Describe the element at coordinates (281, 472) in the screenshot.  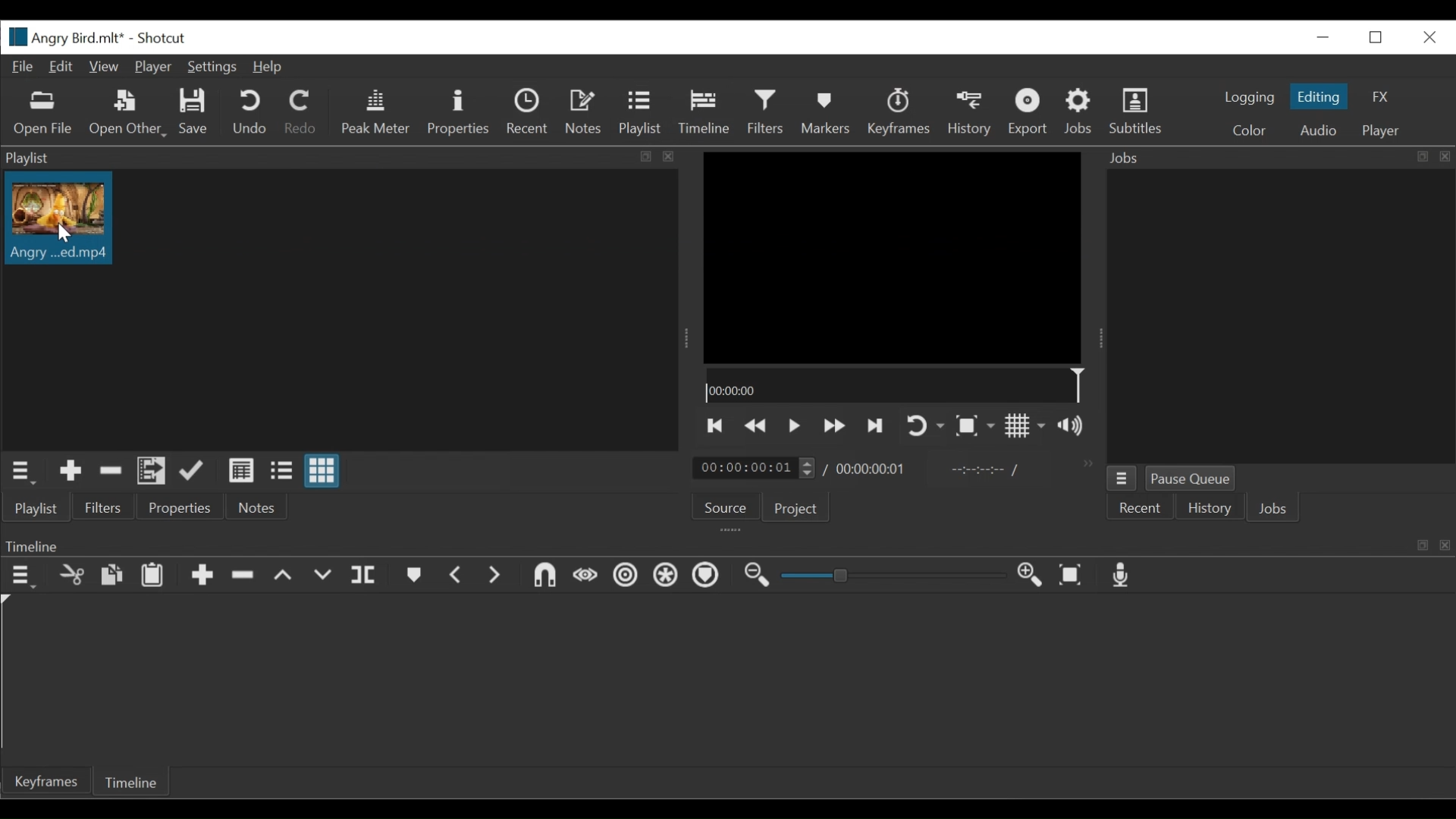
I see `View as files` at that location.